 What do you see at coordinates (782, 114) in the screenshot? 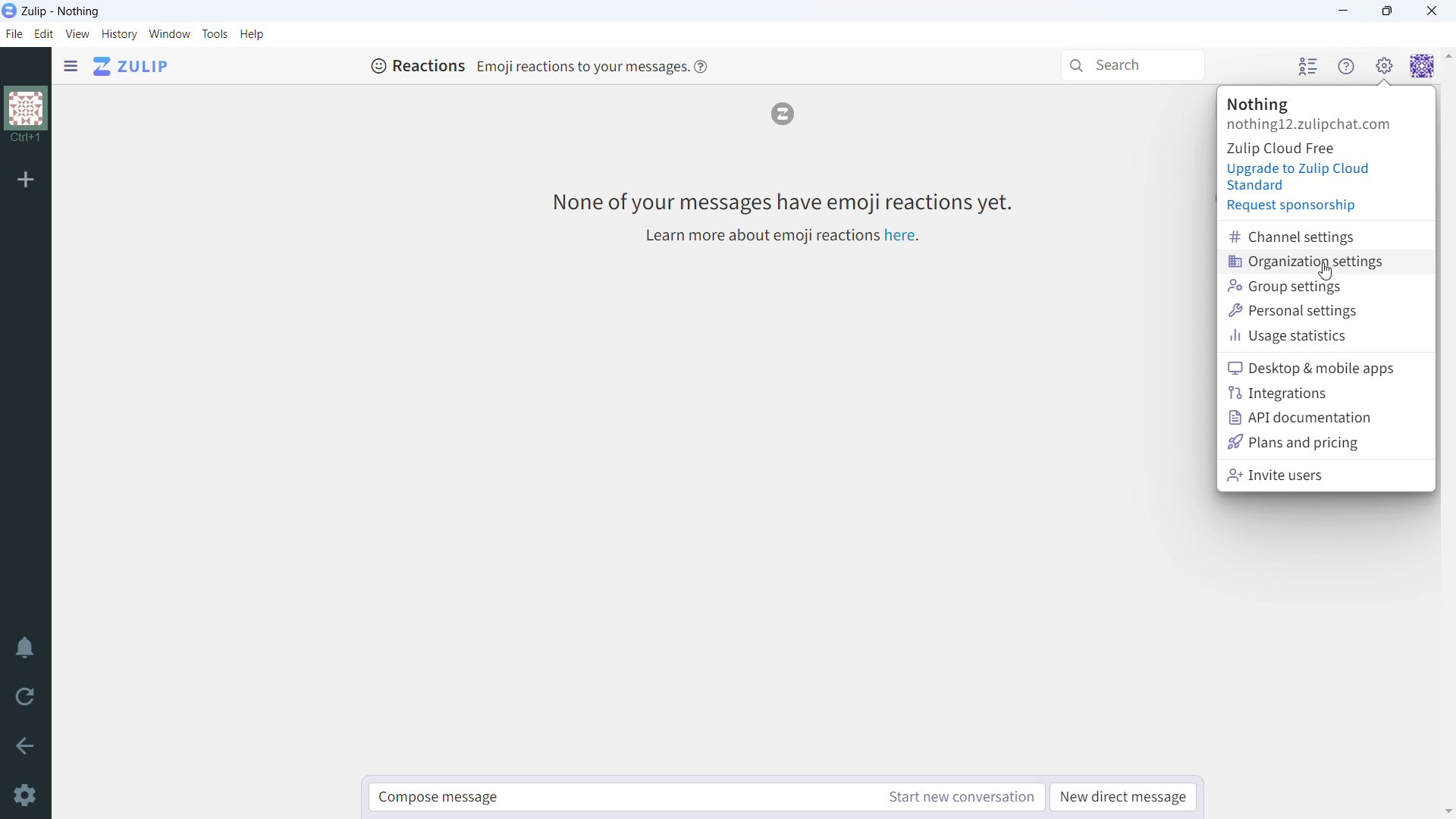
I see `logo` at bounding box center [782, 114].